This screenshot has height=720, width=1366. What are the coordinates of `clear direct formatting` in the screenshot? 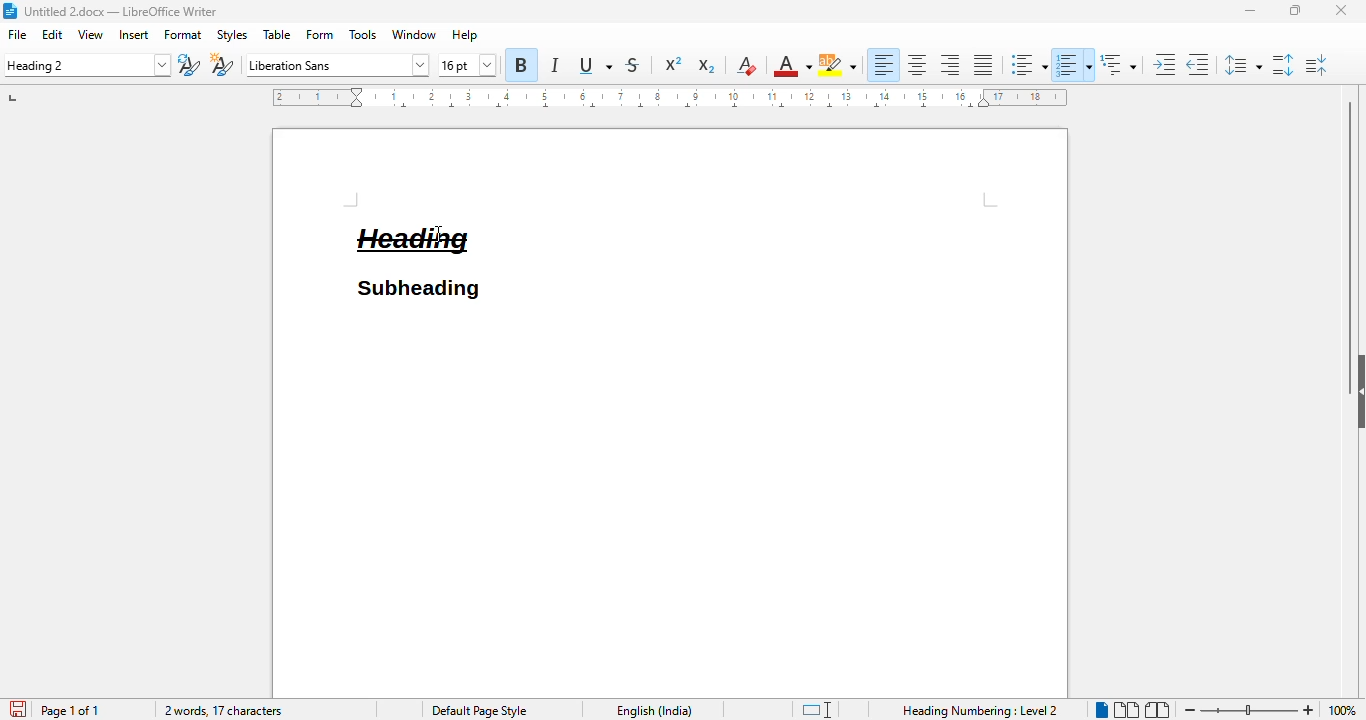 It's located at (745, 65).